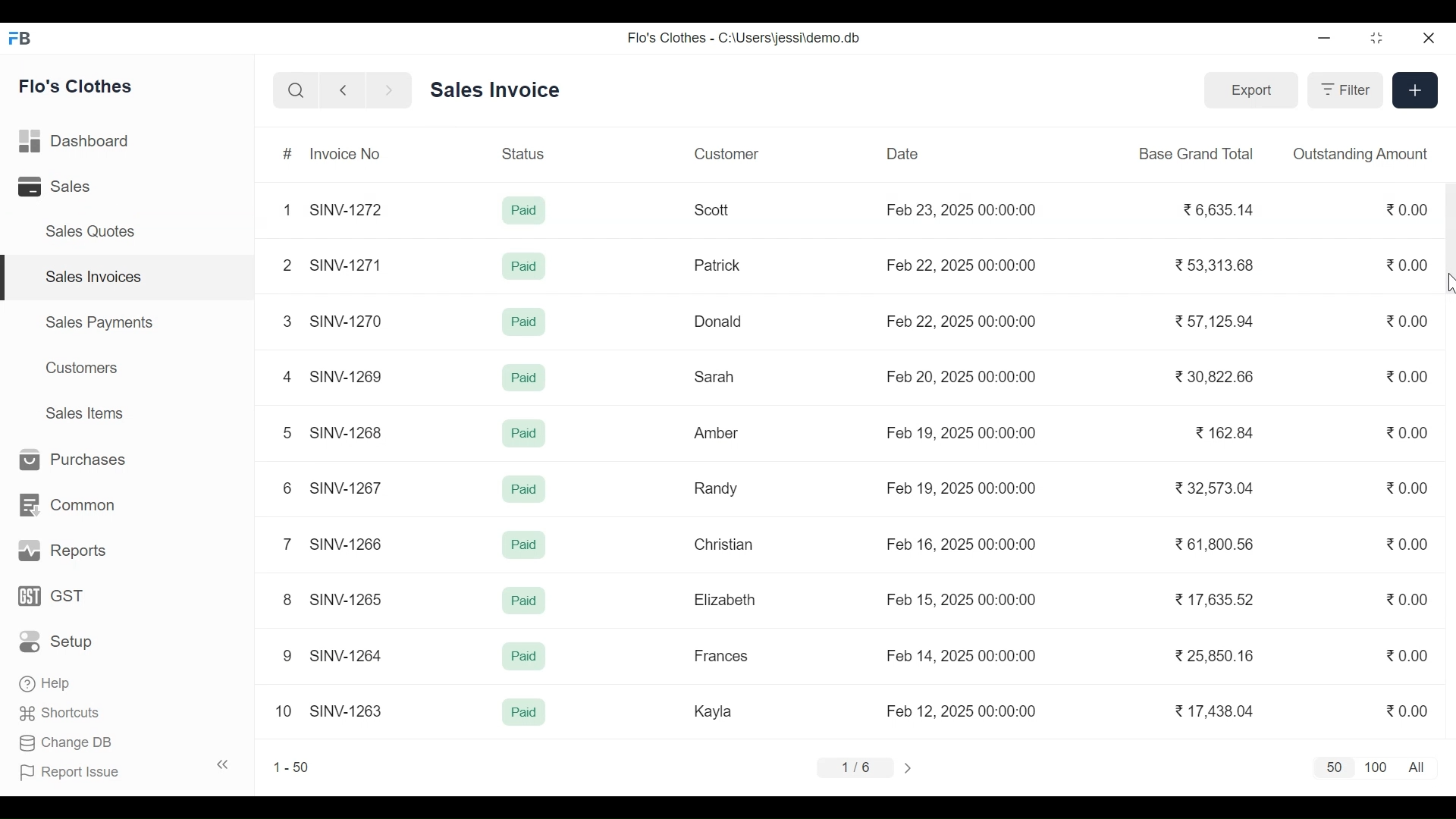  Describe the element at coordinates (287, 321) in the screenshot. I see `3` at that location.